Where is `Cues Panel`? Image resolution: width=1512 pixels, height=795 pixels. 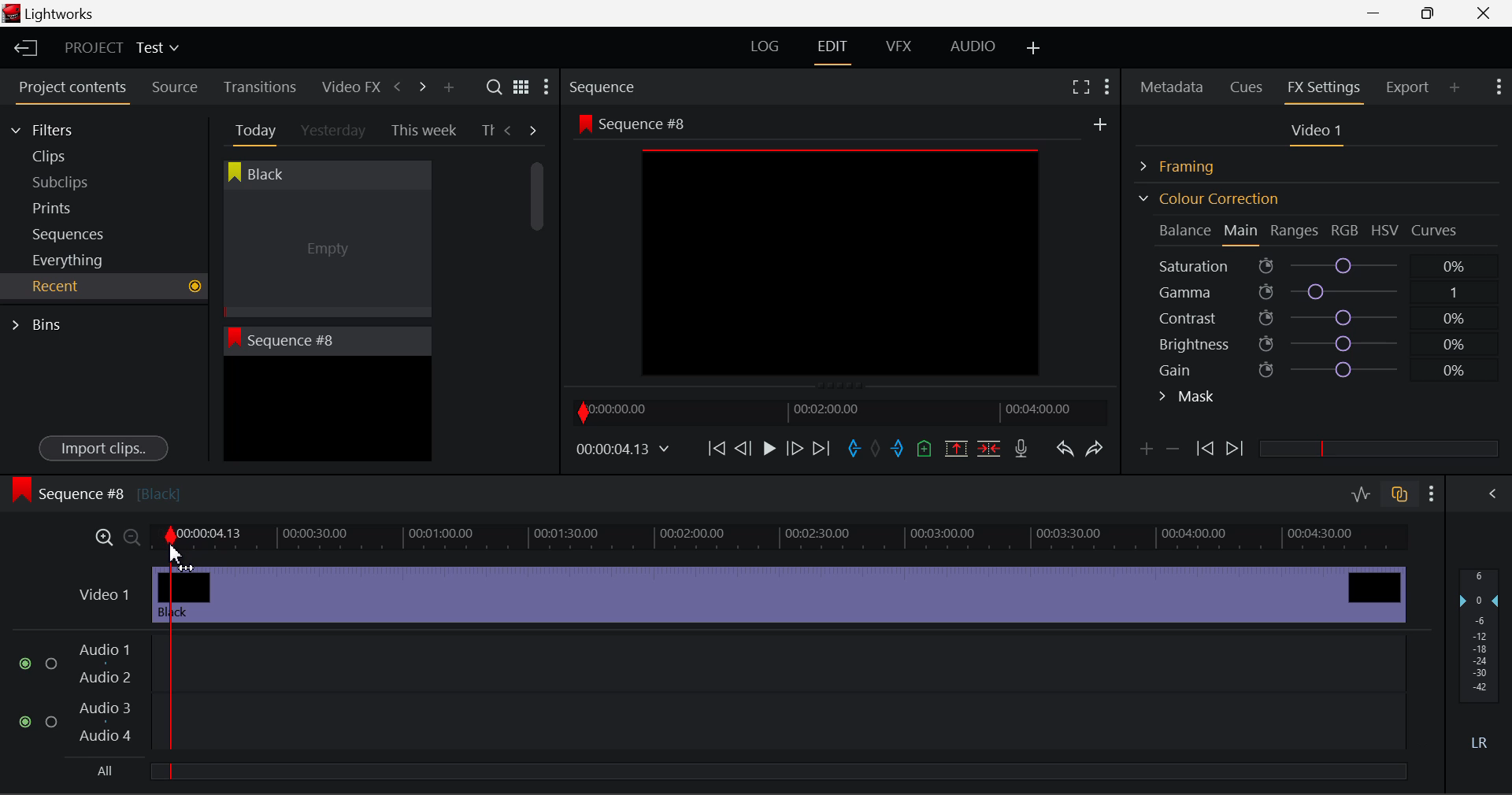
Cues Panel is located at coordinates (1248, 85).